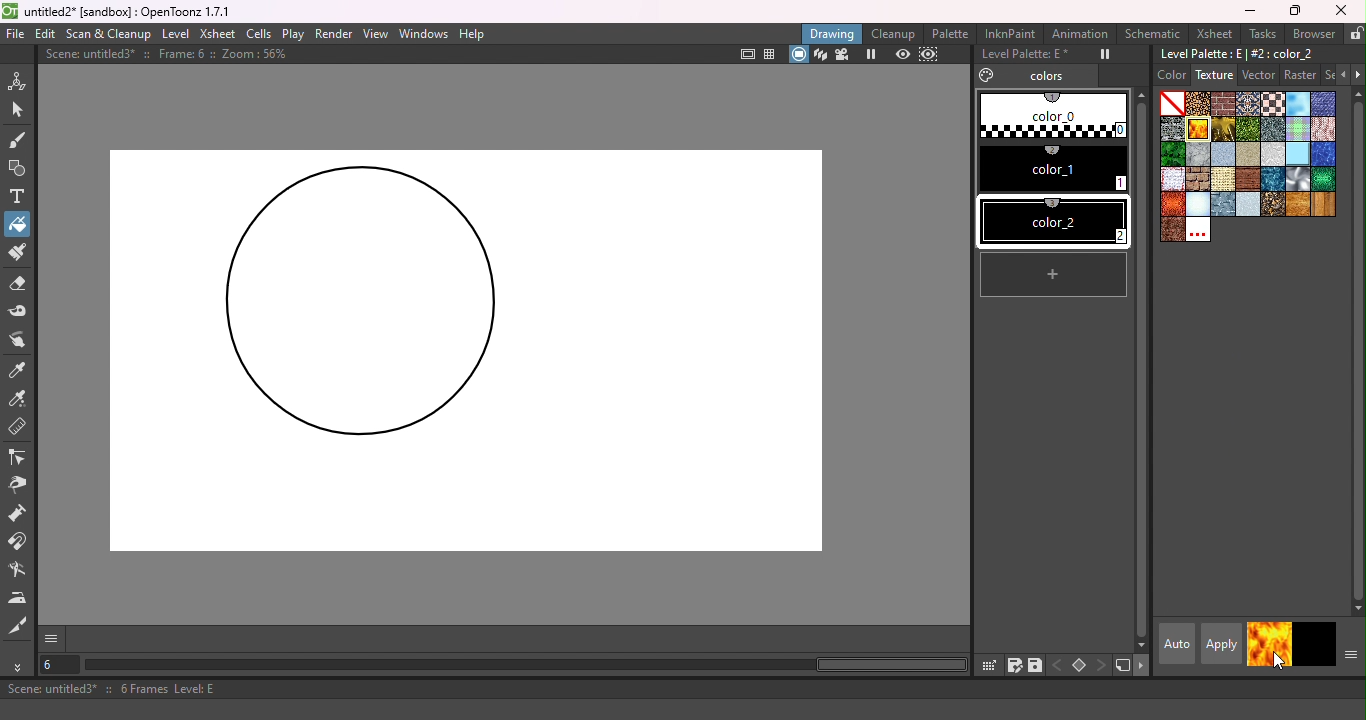 The height and width of the screenshot is (720, 1366). I want to click on Control point editor tool, so click(18, 456).